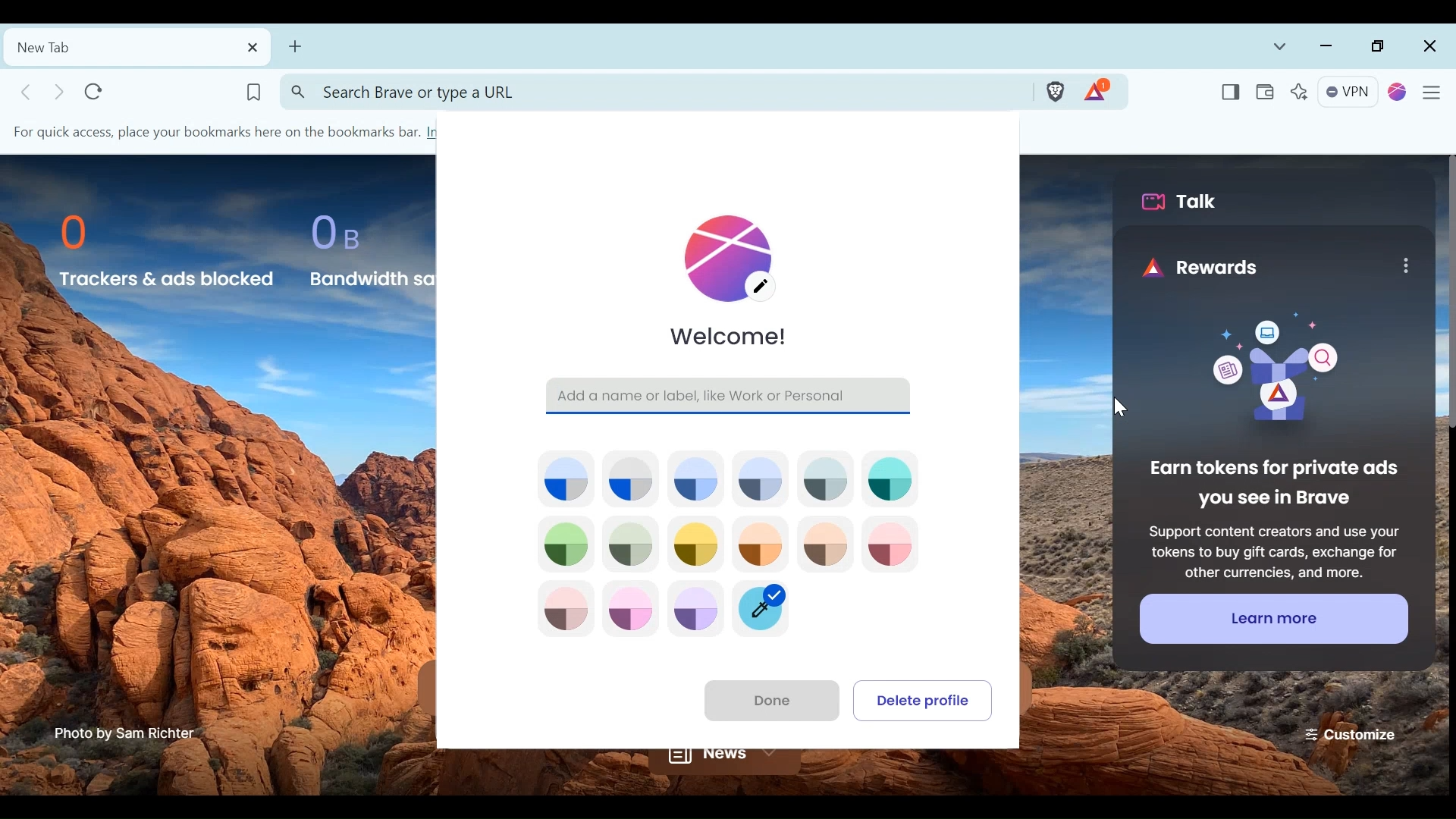 The height and width of the screenshot is (819, 1456). I want to click on Welcome!, so click(731, 338).